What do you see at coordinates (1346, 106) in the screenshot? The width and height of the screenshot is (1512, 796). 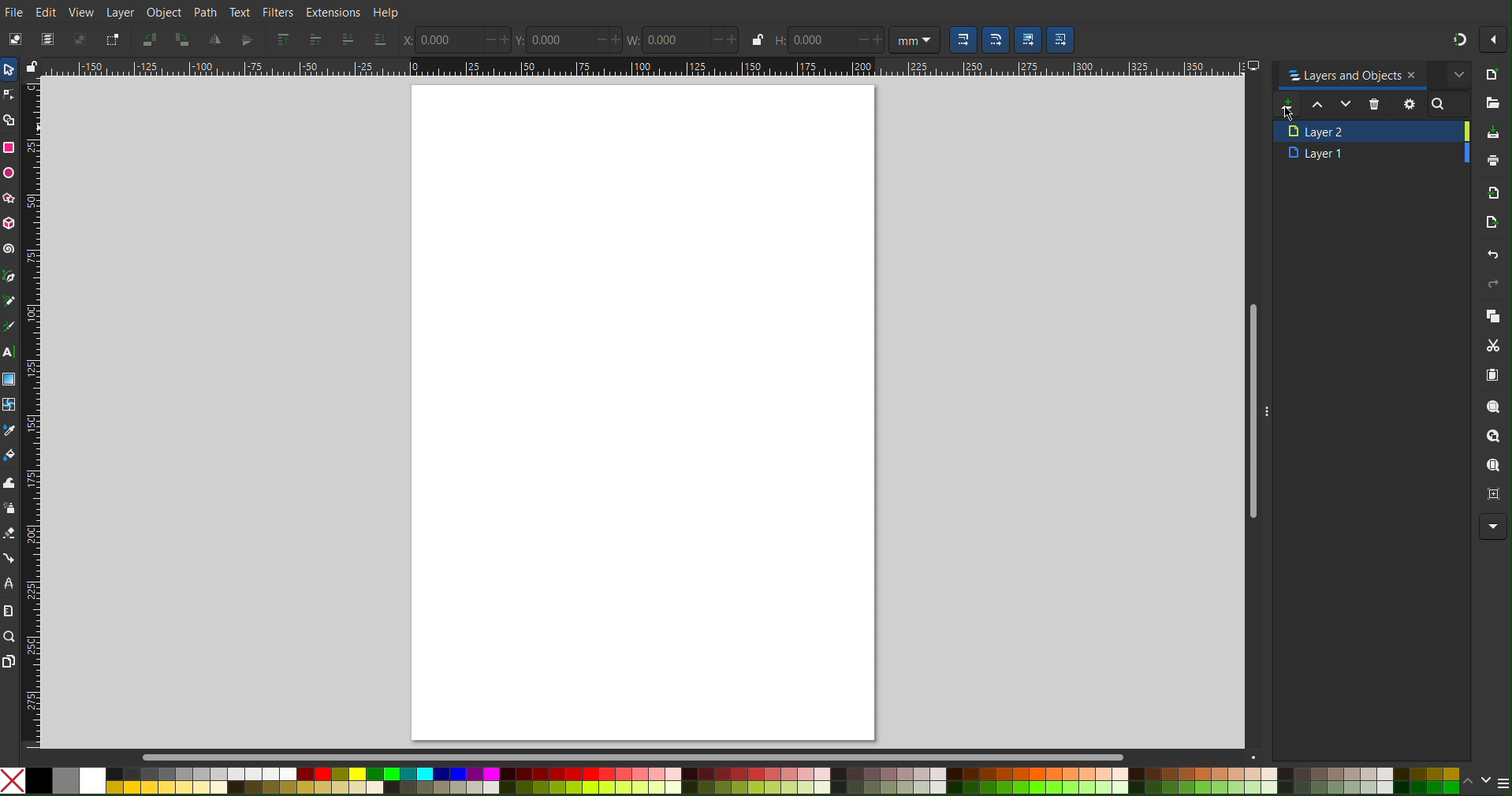 I see `Move down` at bounding box center [1346, 106].